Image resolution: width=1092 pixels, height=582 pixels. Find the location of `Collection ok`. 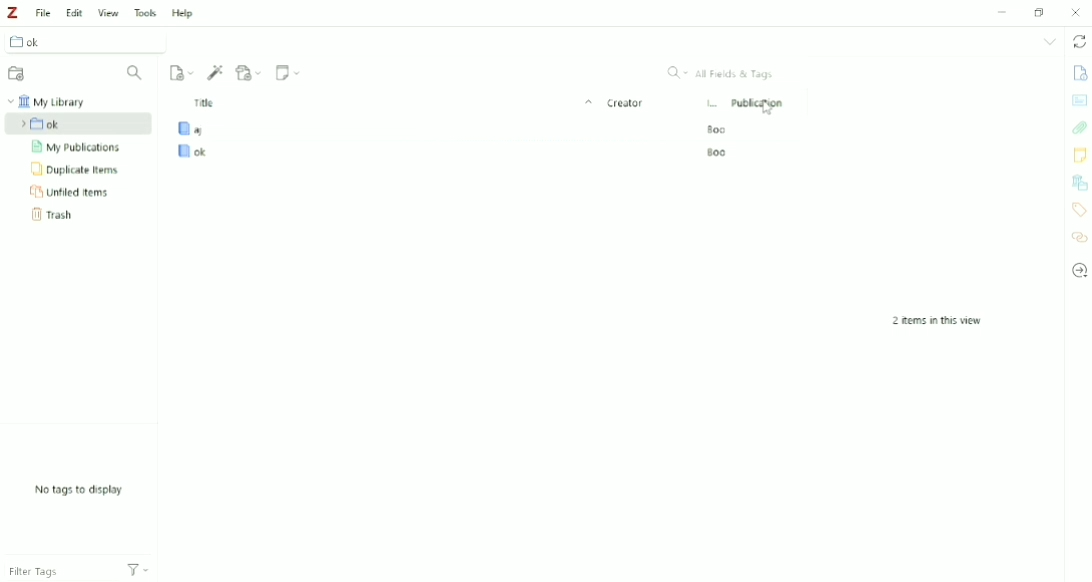

Collection ok is located at coordinates (92, 42).